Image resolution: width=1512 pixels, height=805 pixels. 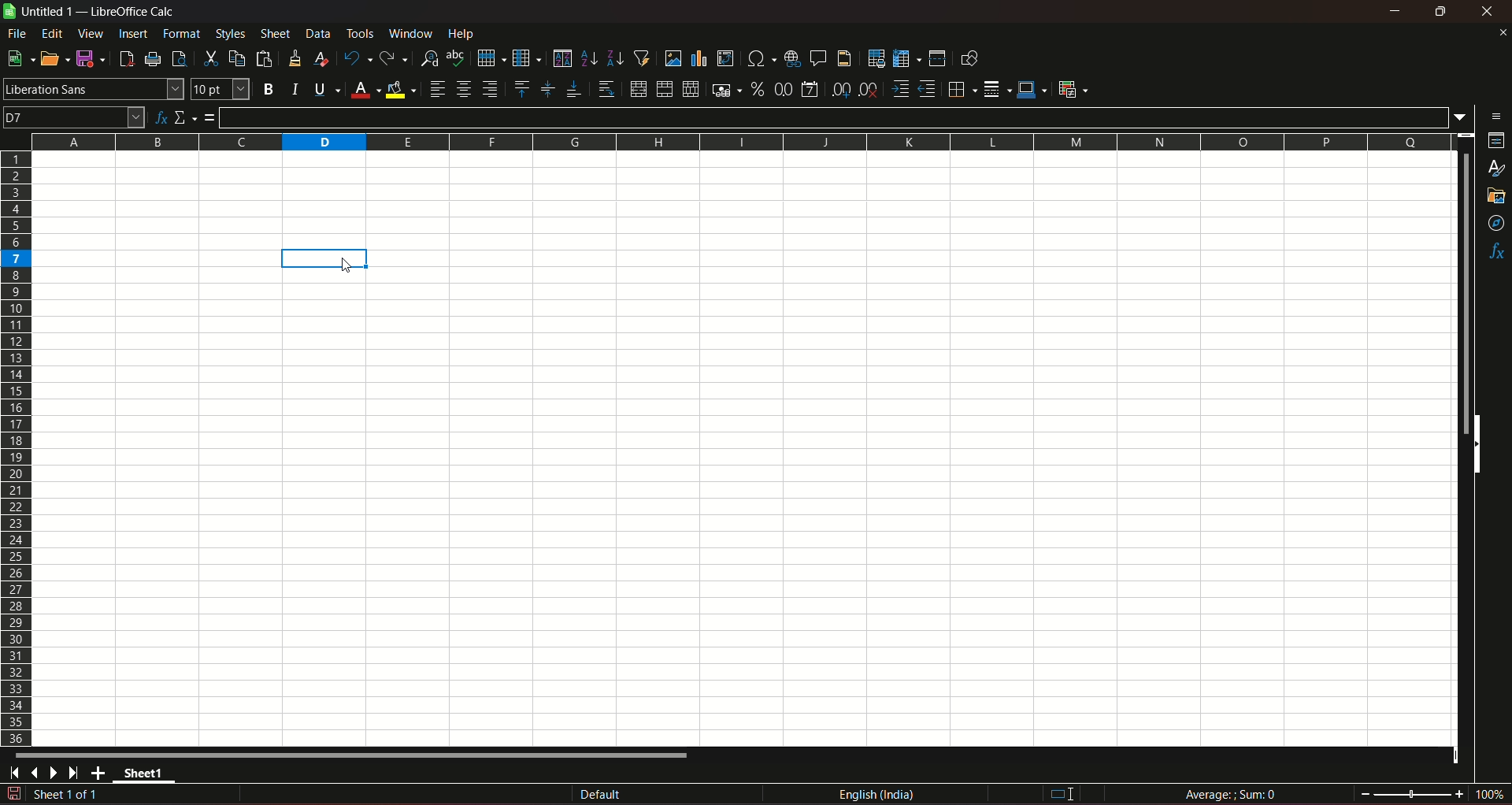 What do you see at coordinates (838, 90) in the screenshot?
I see `add decimal place` at bounding box center [838, 90].